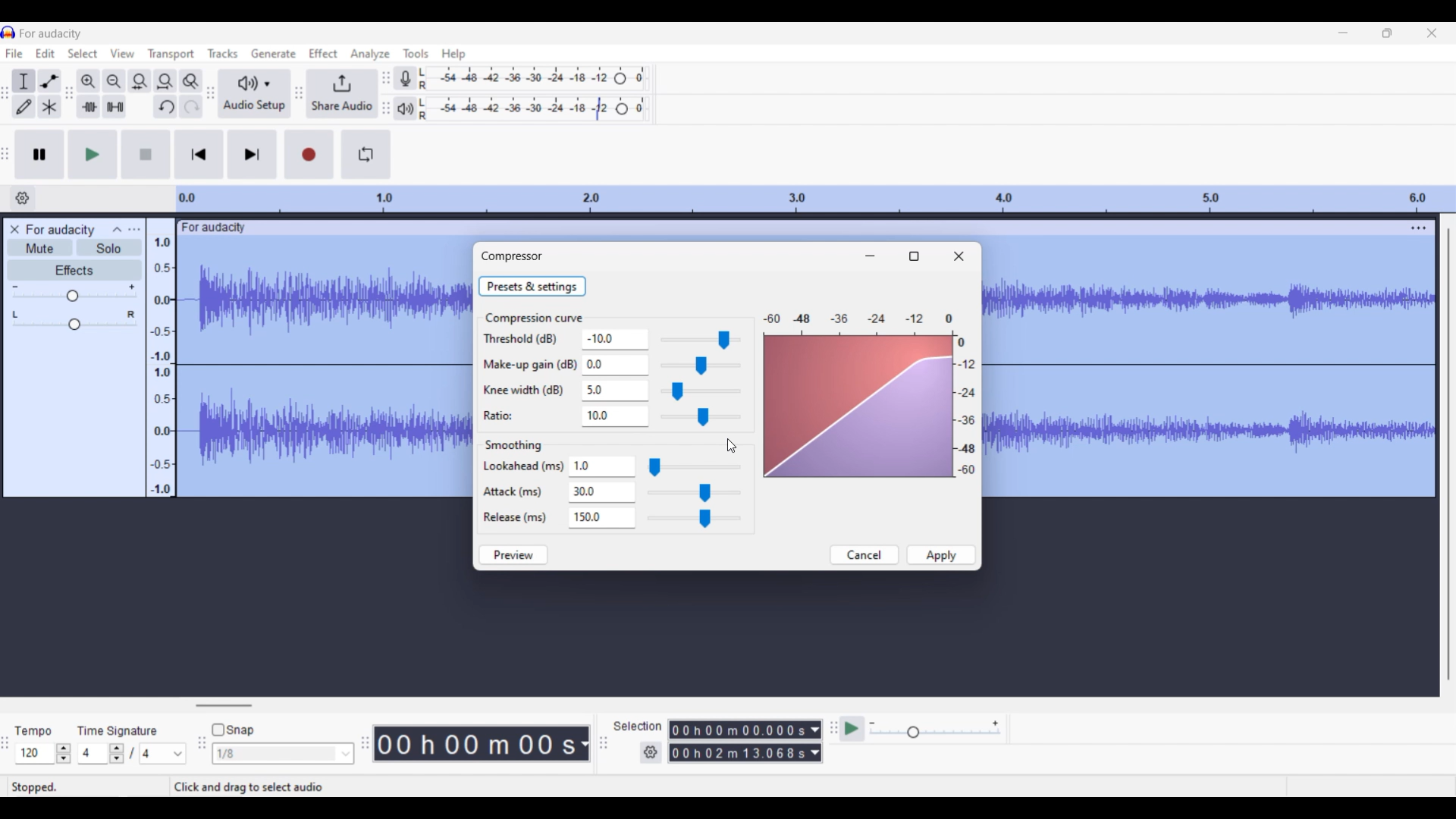 The width and height of the screenshot is (1456, 819). I want to click on Close interface, so click(1432, 33).